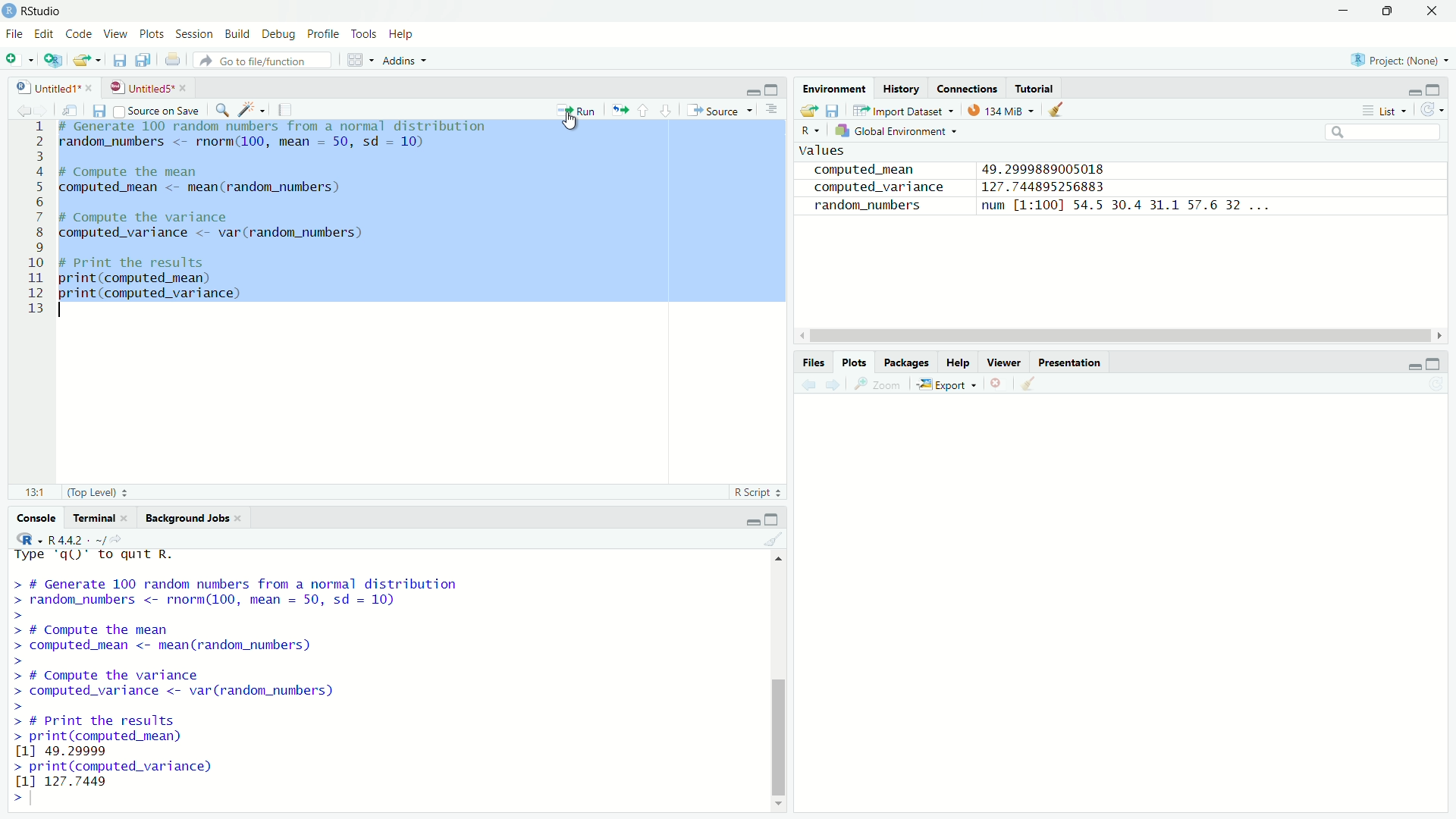 This screenshot has width=1456, height=819. What do you see at coordinates (1441, 362) in the screenshot?
I see `maximize` at bounding box center [1441, 362].